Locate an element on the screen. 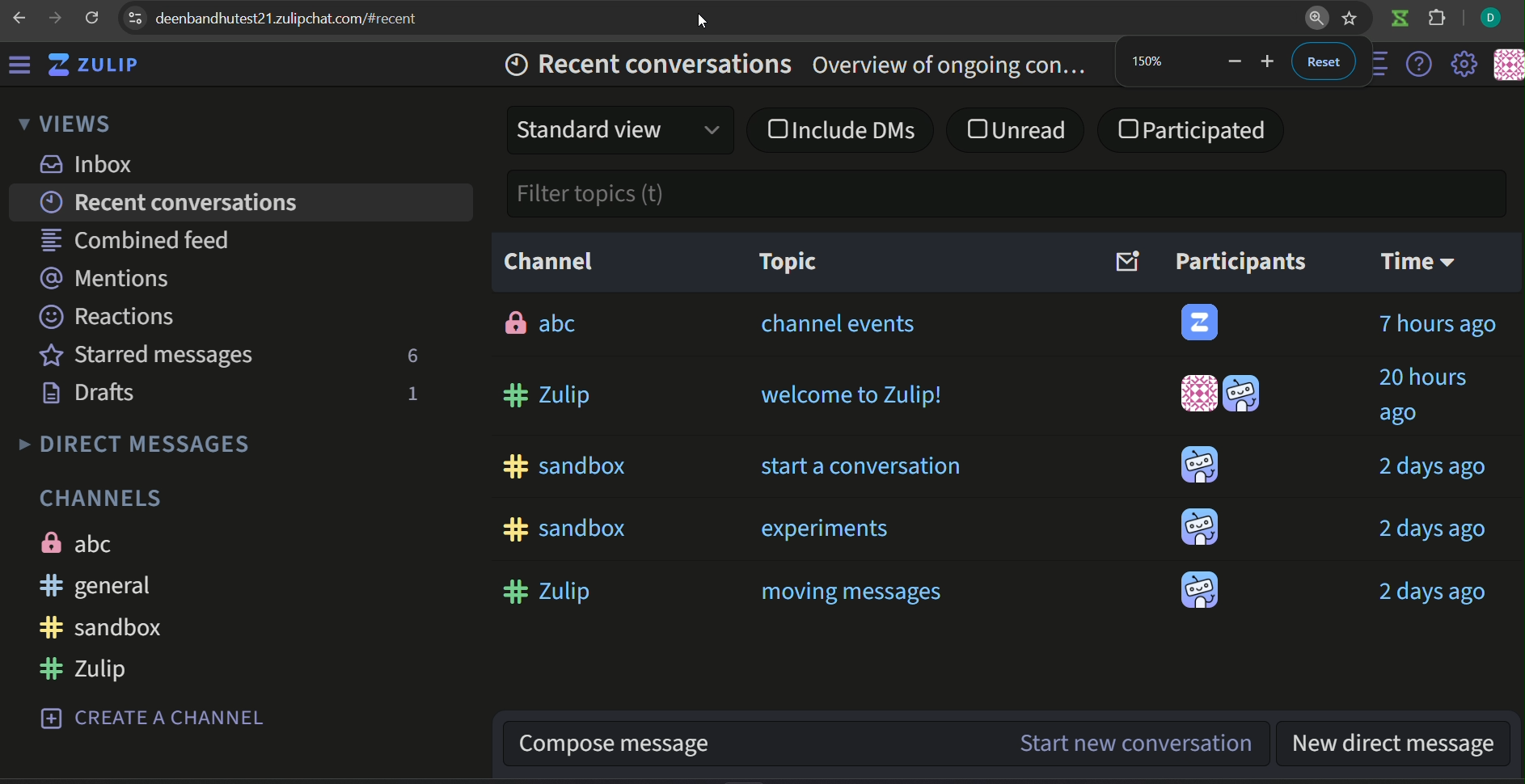  icon is located at coordinates (1200, 528).